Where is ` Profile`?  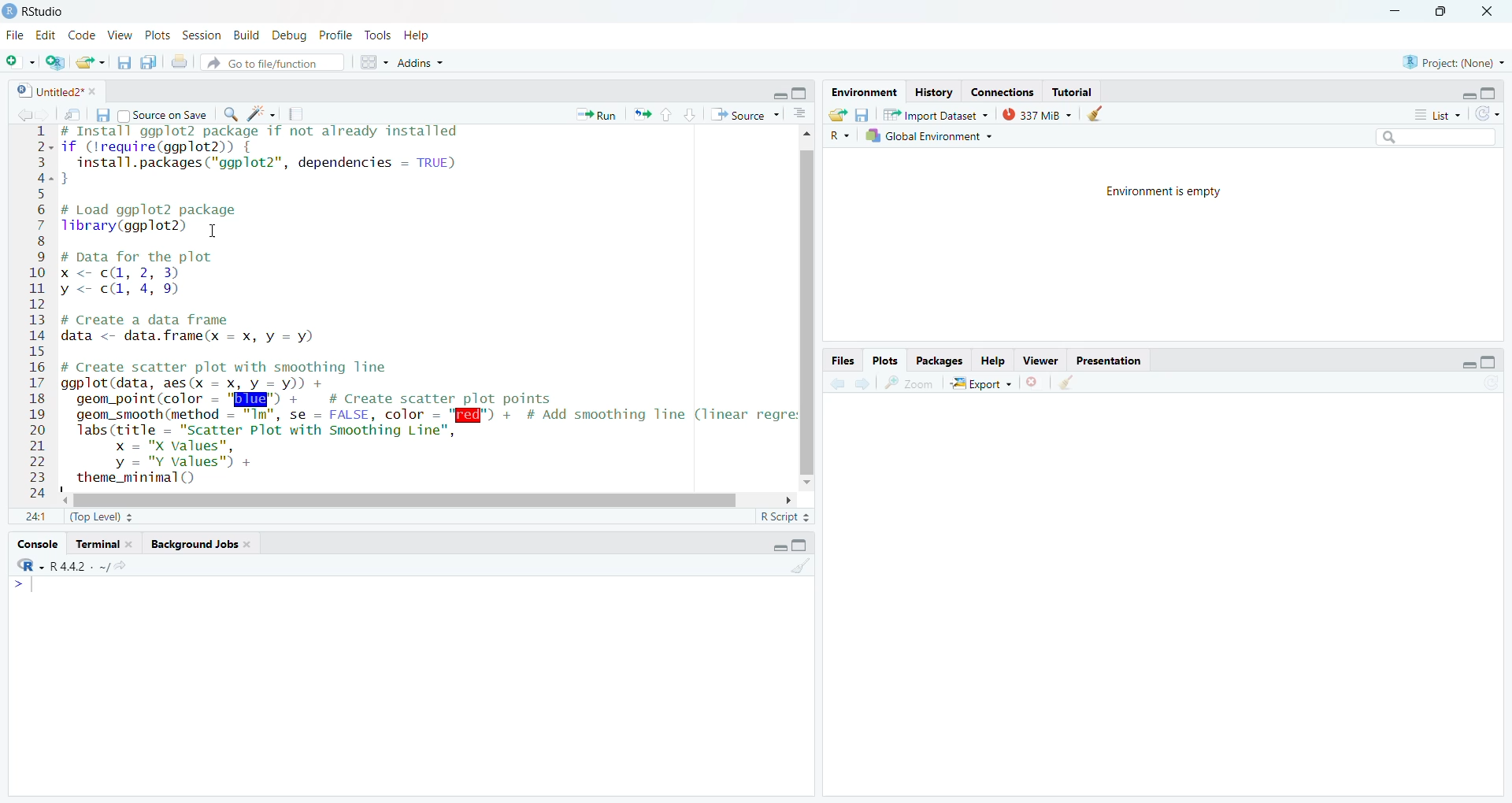  Profile is located at coordinates (334, 35).